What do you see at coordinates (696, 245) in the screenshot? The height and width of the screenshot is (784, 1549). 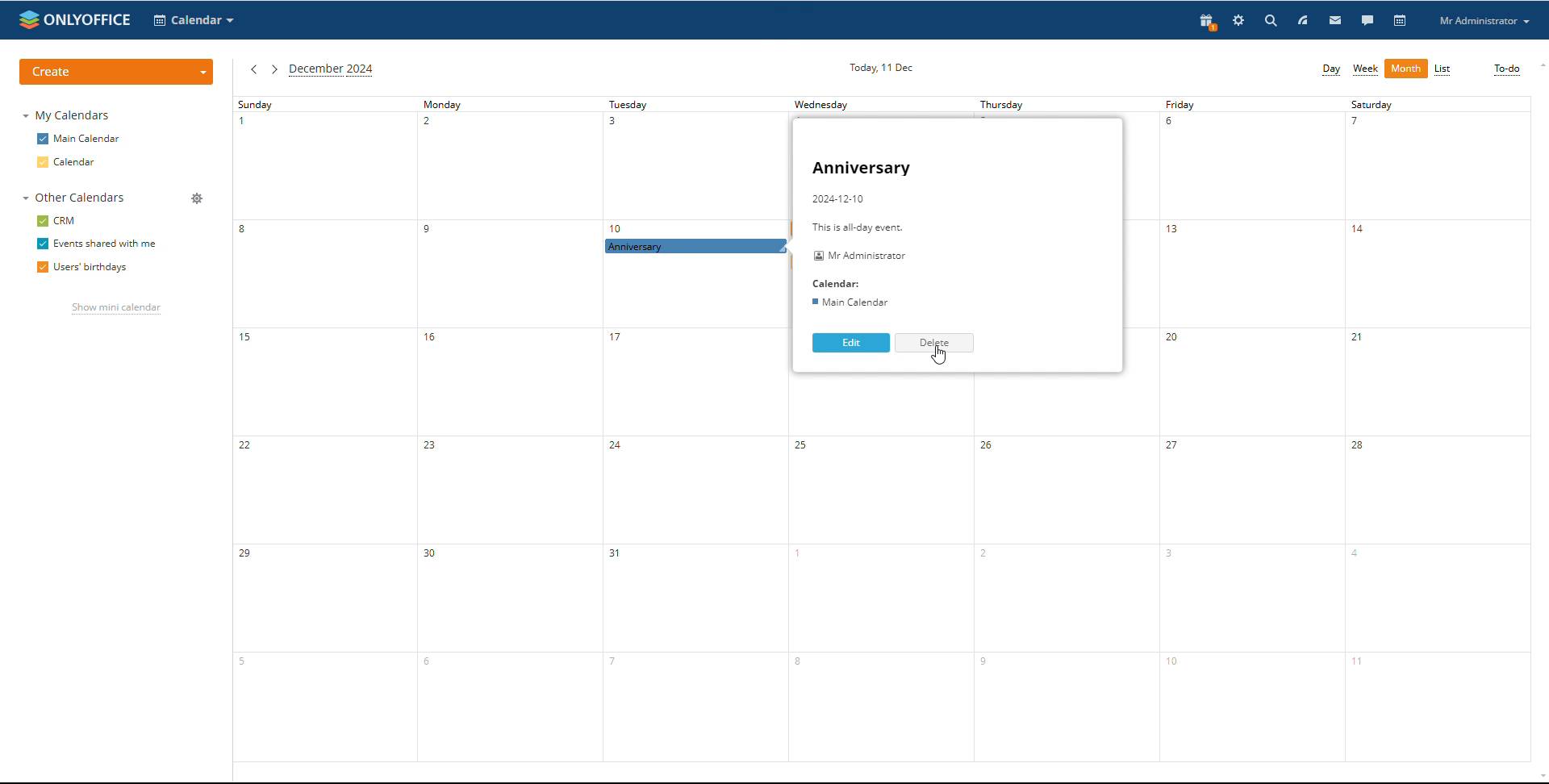 I see `recurring event` at bounding box center [696, 245].